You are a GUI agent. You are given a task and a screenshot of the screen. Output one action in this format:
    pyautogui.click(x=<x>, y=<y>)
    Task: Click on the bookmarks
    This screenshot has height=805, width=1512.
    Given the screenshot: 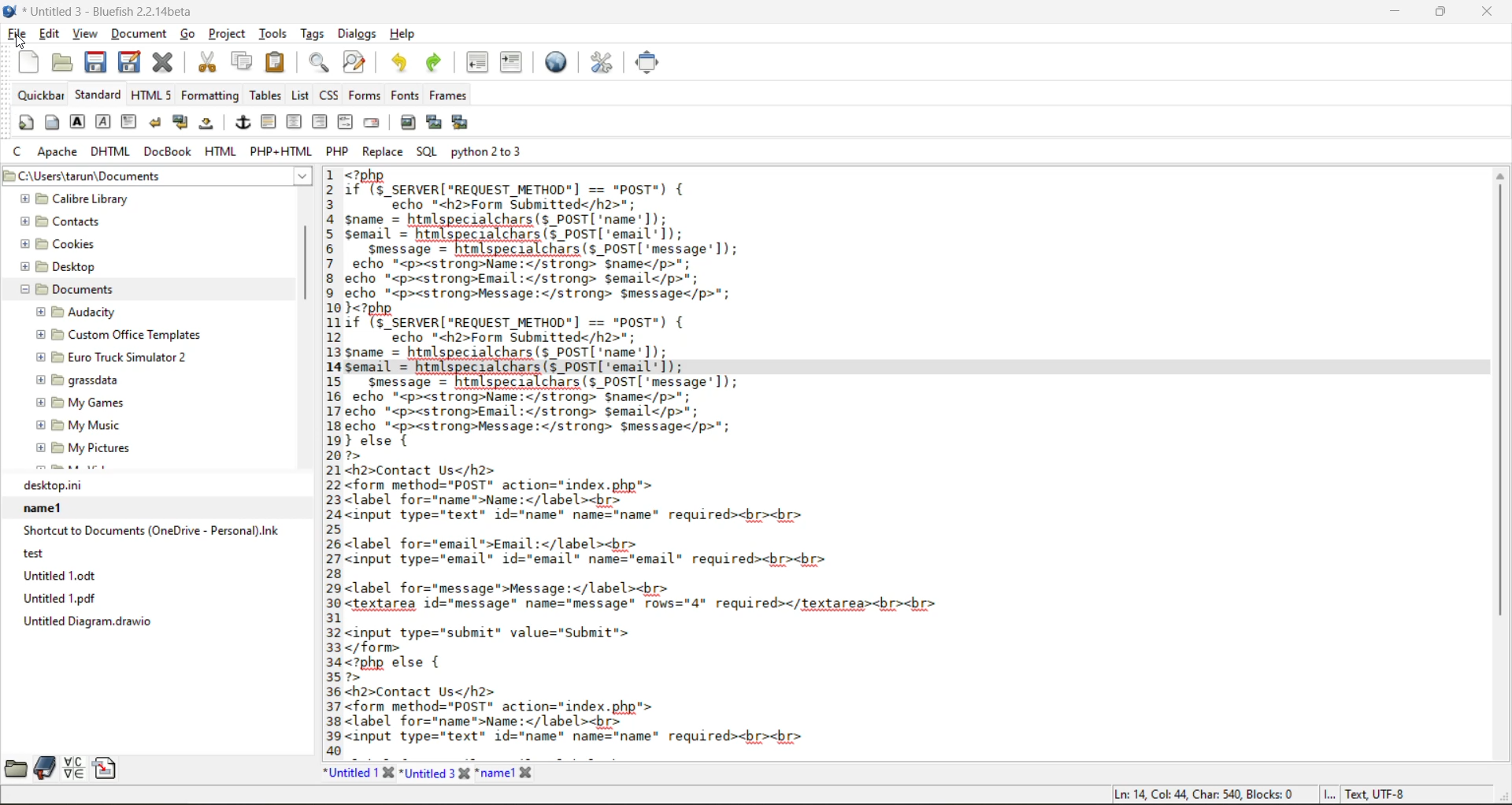 What is the action you would take?
    pyautogui.click(x=43, y=768)
    